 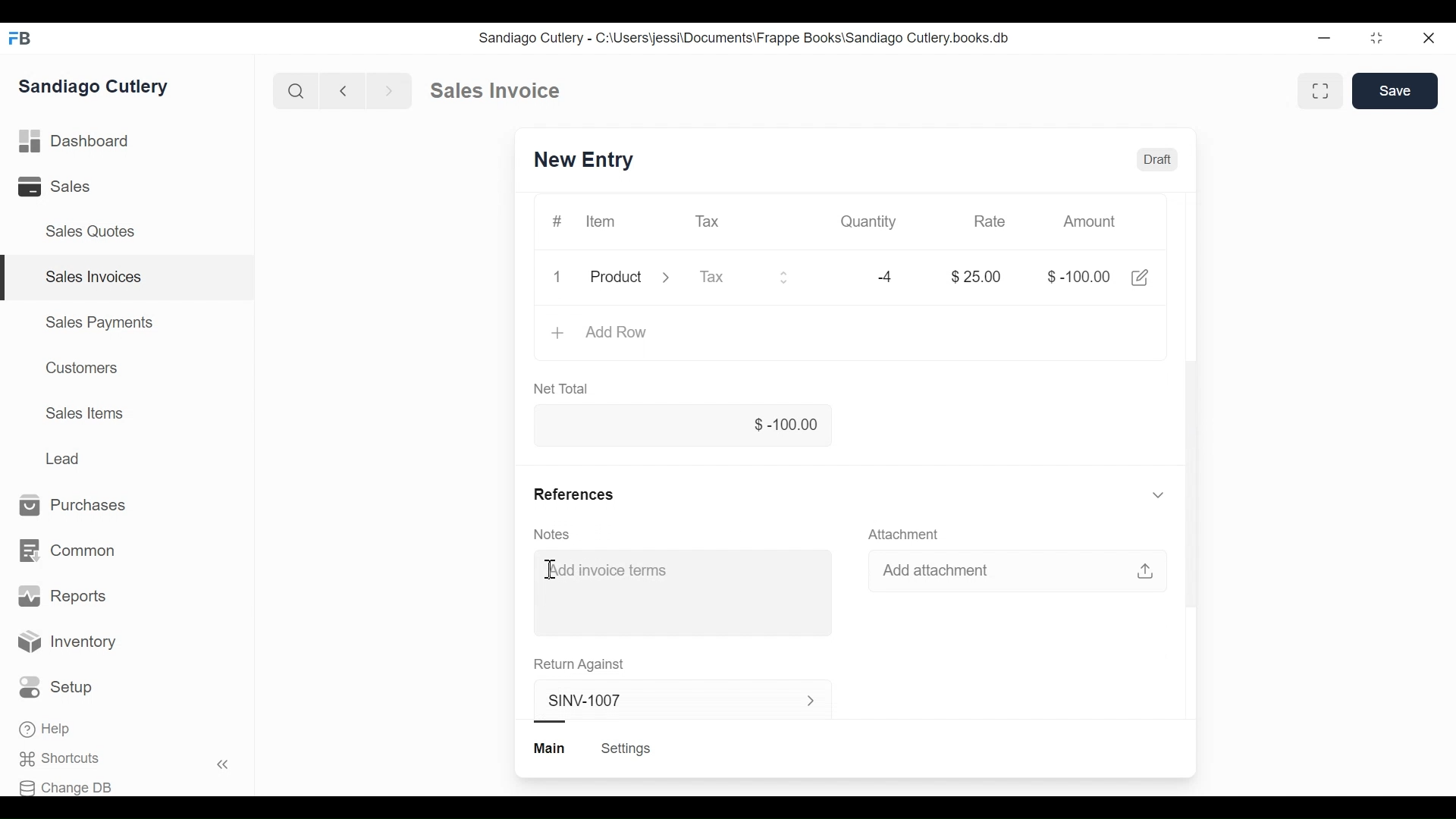 What do you see at coordinates (629, 278) in the screenshot?
I see `Product` at bounding box center [629, 278].